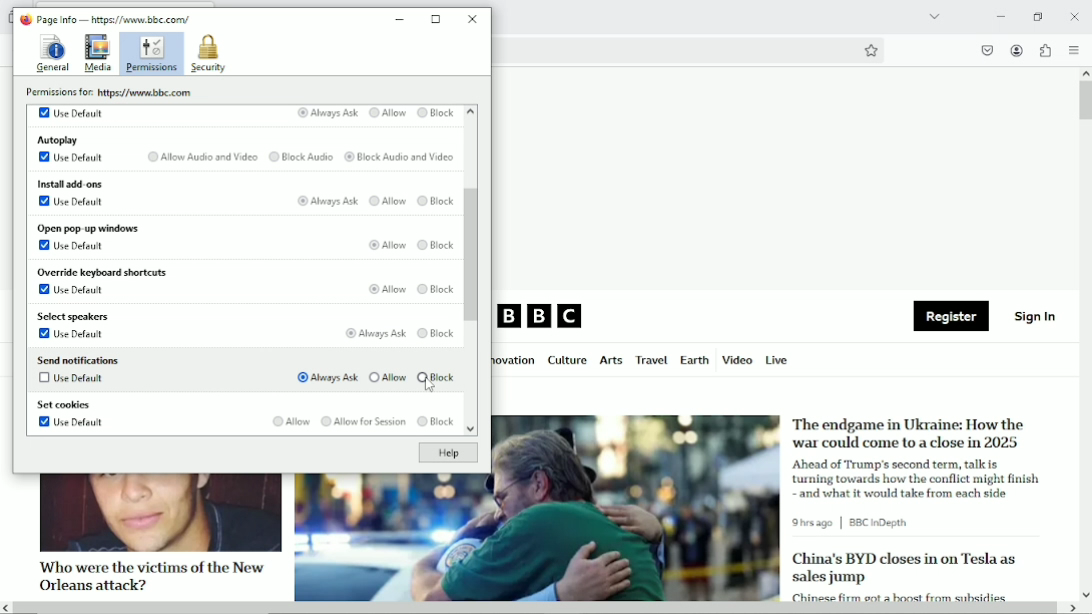  What do you see at coordinates (362, 422) in the screenshot?
I see `Allow for session` at bounding box center [362, 422].